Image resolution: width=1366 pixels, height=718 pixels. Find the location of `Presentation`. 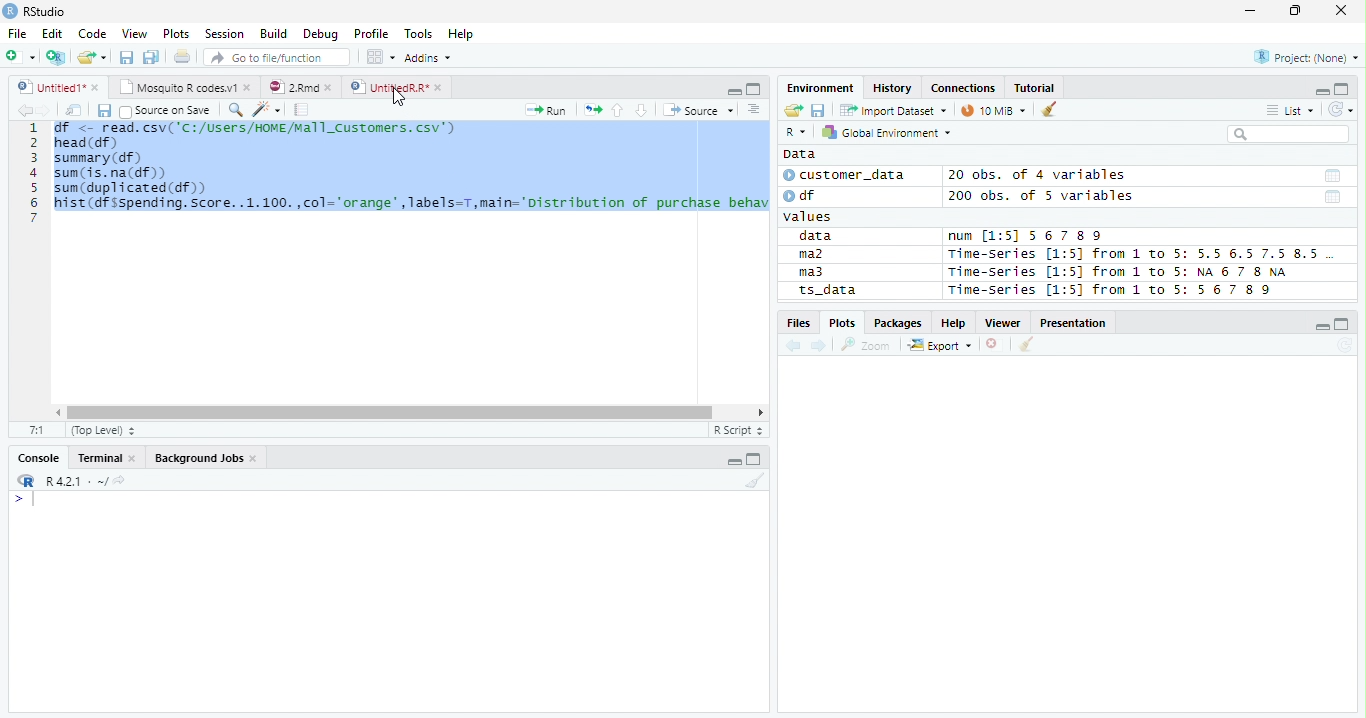

Presentation is located at coordinates (1076, 323).